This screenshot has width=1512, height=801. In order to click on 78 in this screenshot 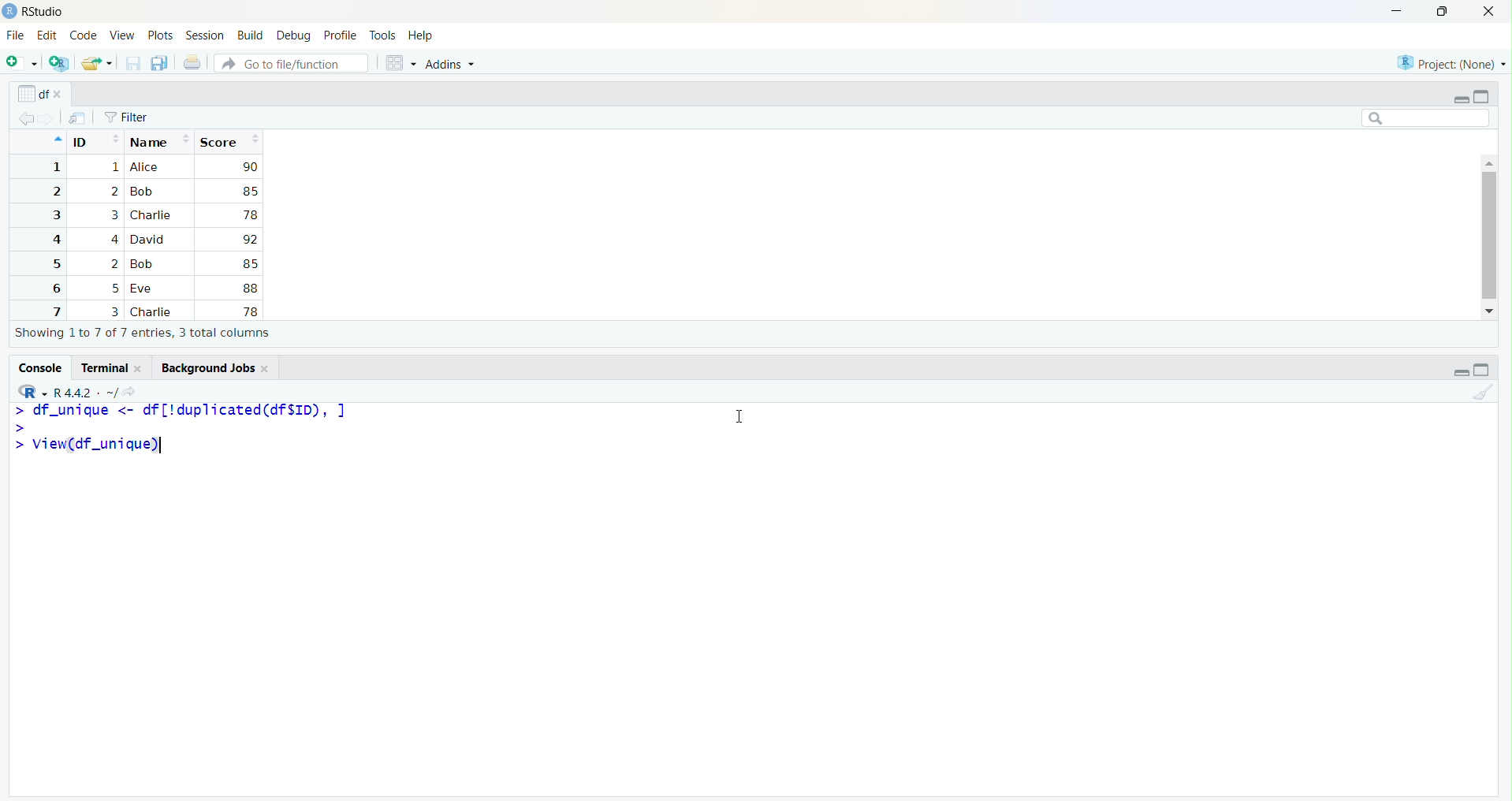, I will do `click(250, 215)`.